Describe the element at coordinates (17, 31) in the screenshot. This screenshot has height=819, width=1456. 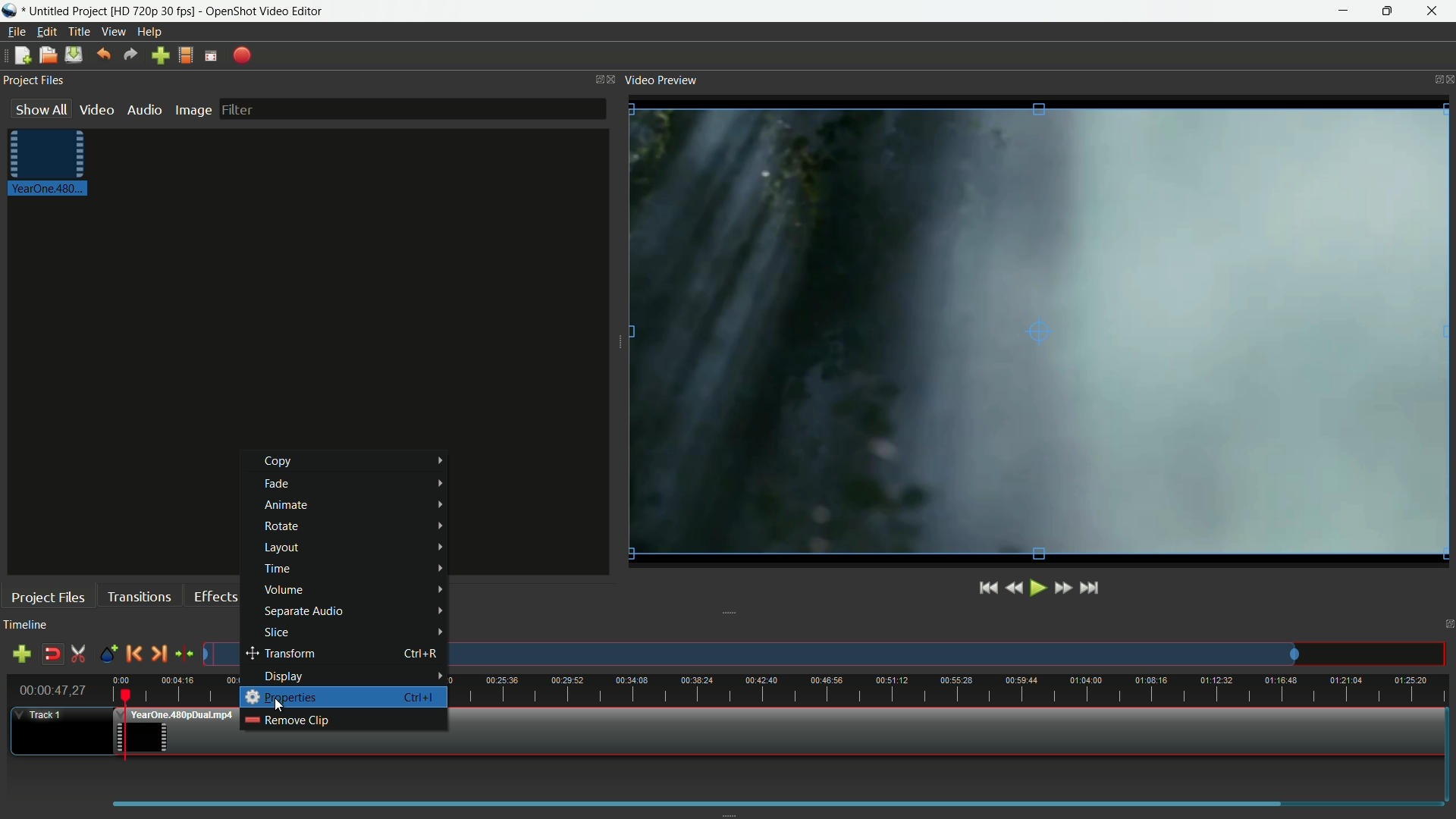
I see `file menu` at that location.